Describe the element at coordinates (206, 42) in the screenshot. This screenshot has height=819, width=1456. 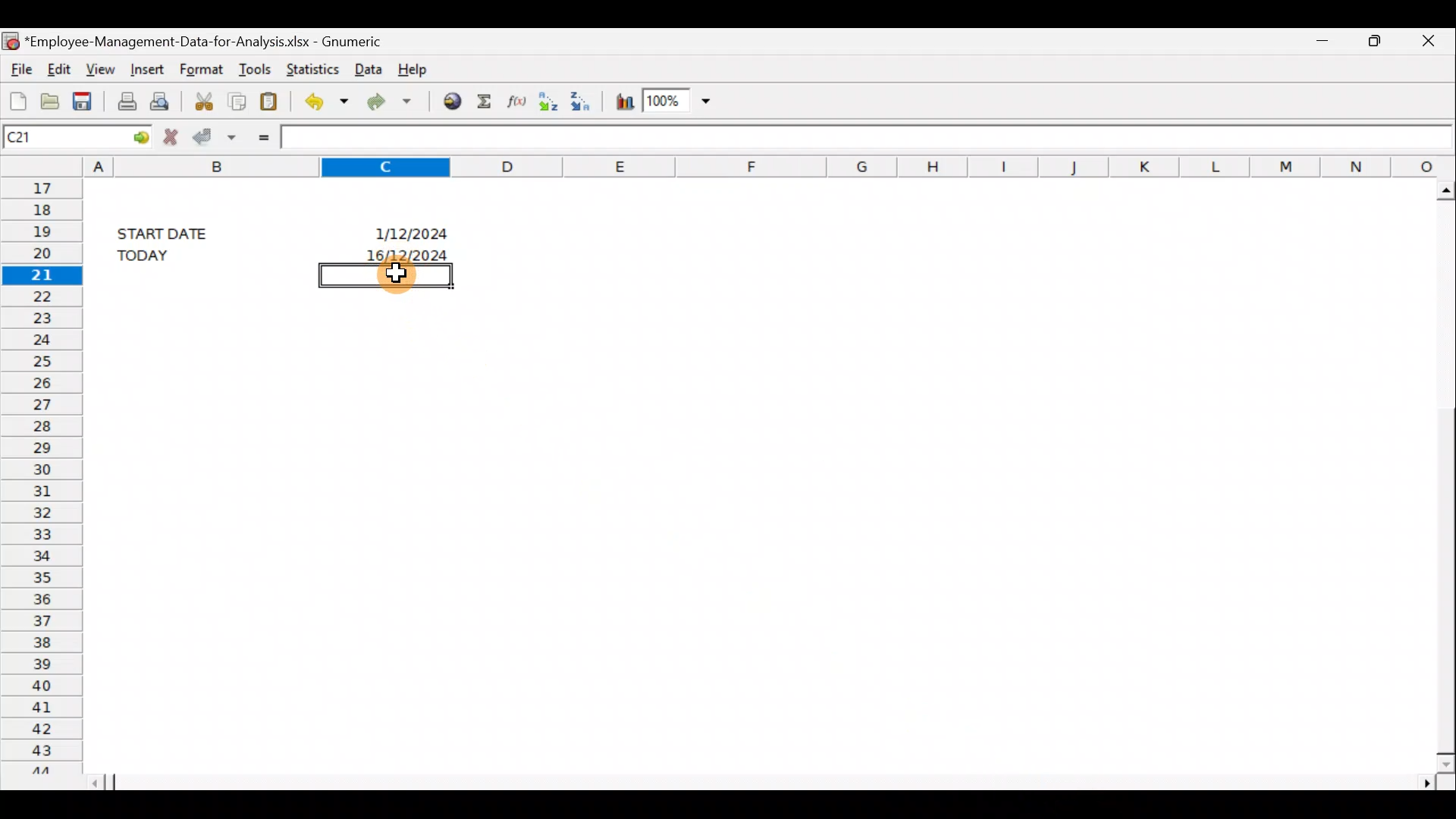
I see `*Employee-Management-Data-for-Analysis.xlsx - Gnumeric` at that location.